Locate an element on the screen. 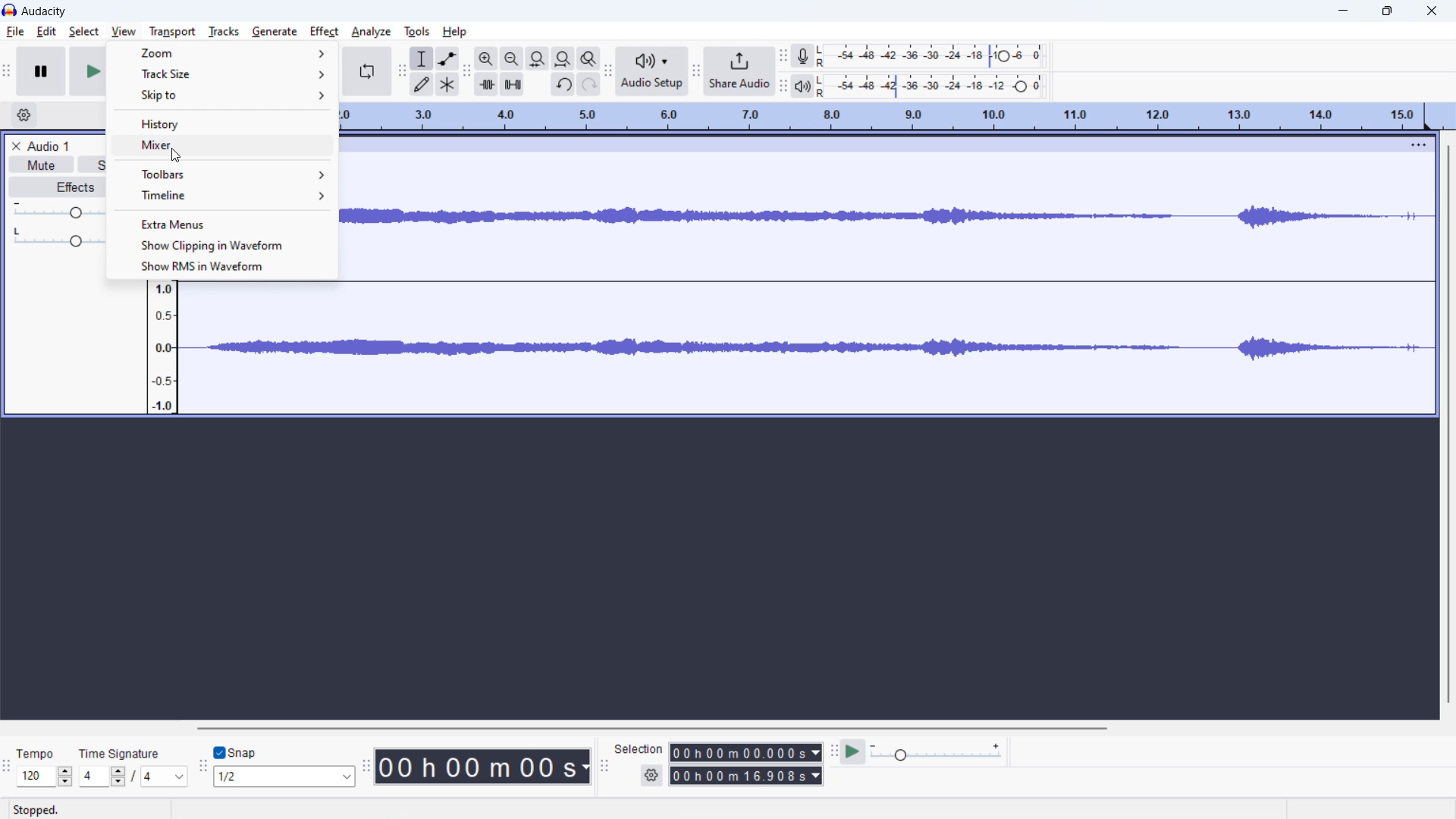 This screenshot has width=1456, height=819. help is located at coordinates (454, 33).